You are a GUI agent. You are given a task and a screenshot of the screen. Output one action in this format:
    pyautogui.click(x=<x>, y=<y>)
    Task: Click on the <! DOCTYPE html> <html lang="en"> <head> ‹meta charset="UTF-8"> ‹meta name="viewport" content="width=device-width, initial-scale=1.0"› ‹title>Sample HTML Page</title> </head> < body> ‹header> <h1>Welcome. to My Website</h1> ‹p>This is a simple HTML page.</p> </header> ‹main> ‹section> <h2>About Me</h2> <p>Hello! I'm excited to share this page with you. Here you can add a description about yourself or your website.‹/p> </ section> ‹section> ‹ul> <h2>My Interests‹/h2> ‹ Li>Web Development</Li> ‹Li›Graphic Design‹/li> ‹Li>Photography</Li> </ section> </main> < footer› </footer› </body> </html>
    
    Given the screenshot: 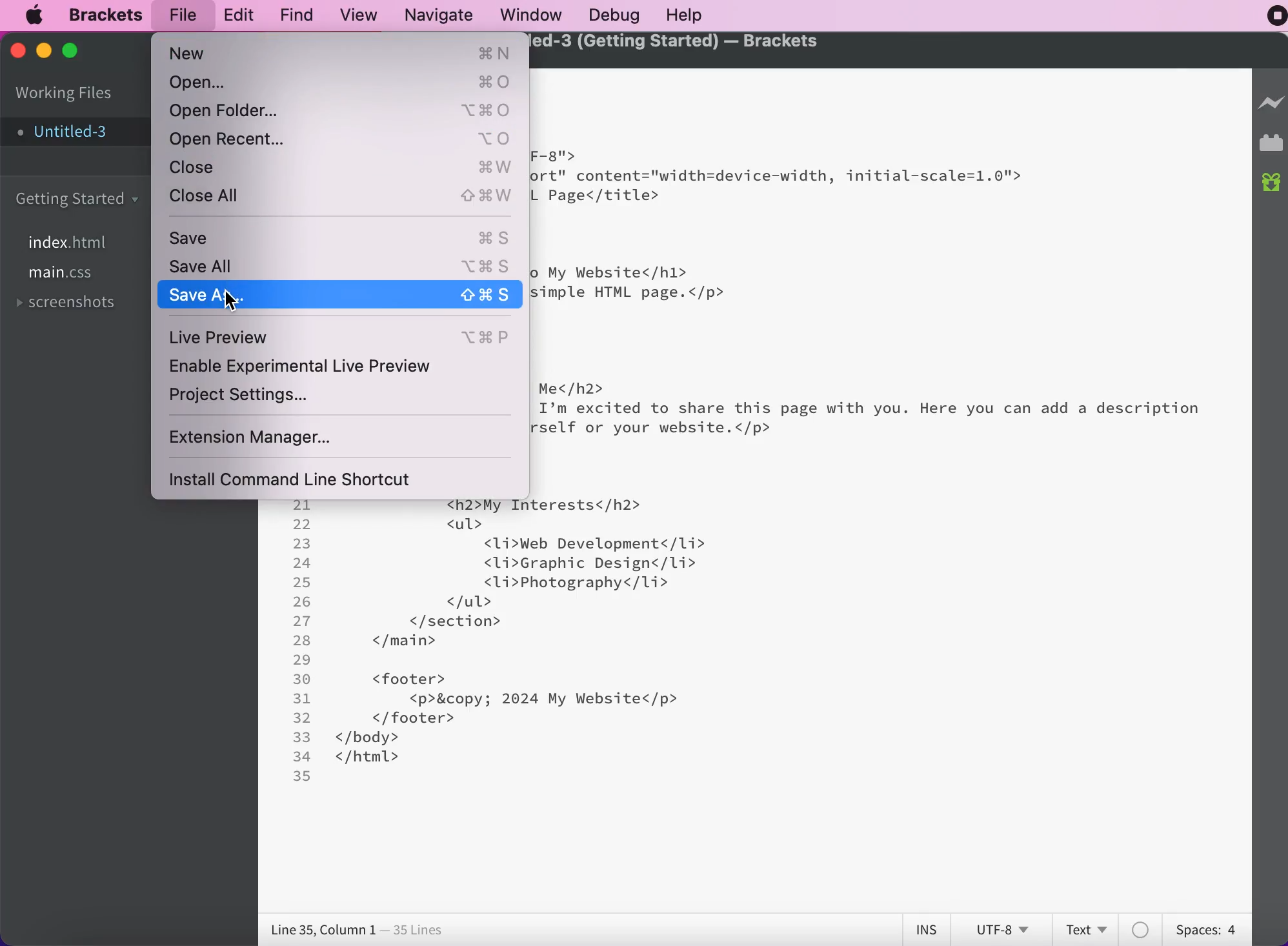 What is the action you would take?
    pyautogui.click(x=867, y=442)
    